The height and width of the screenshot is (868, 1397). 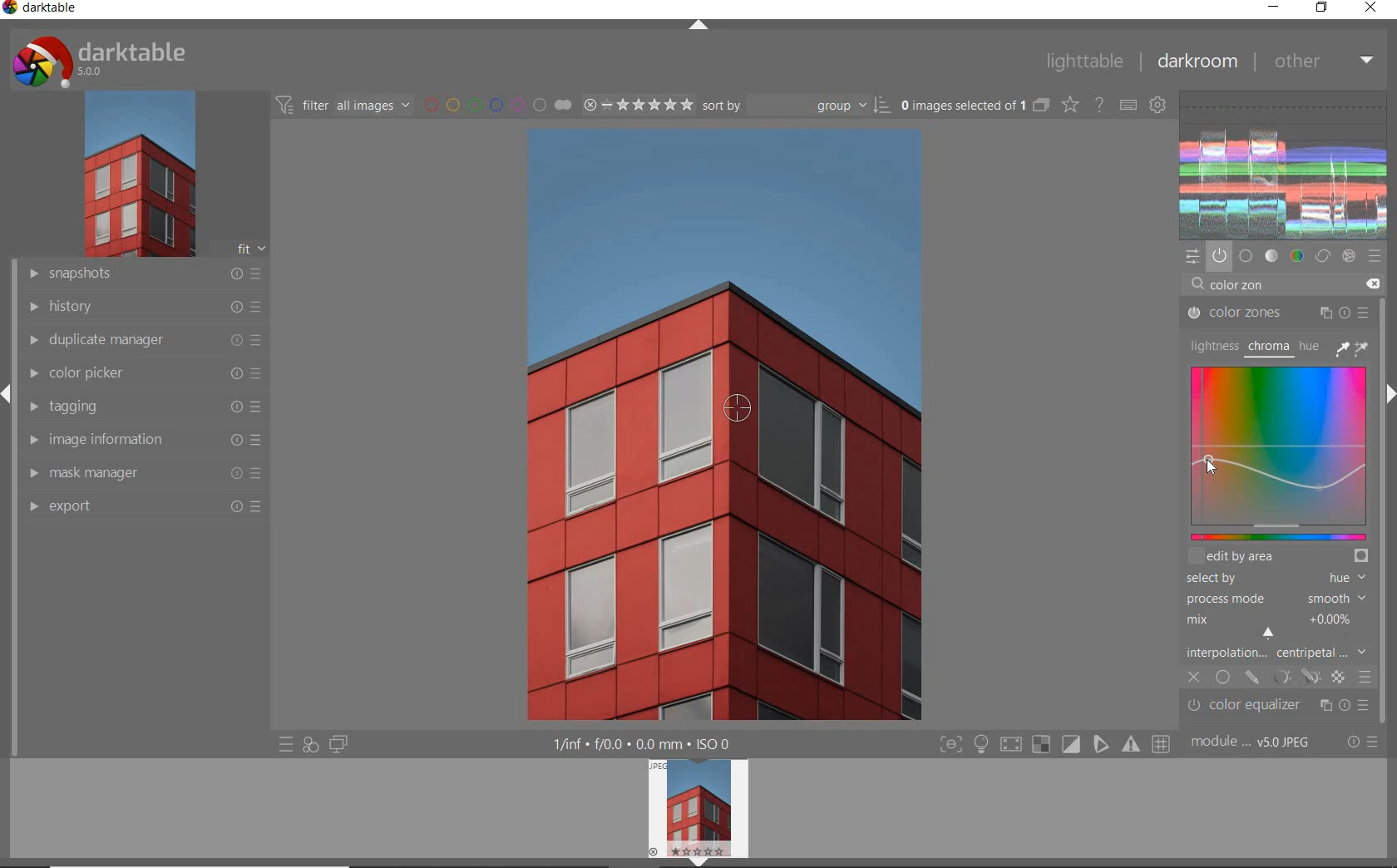 I want to click on DELETE, so click(x=1372, y=283).